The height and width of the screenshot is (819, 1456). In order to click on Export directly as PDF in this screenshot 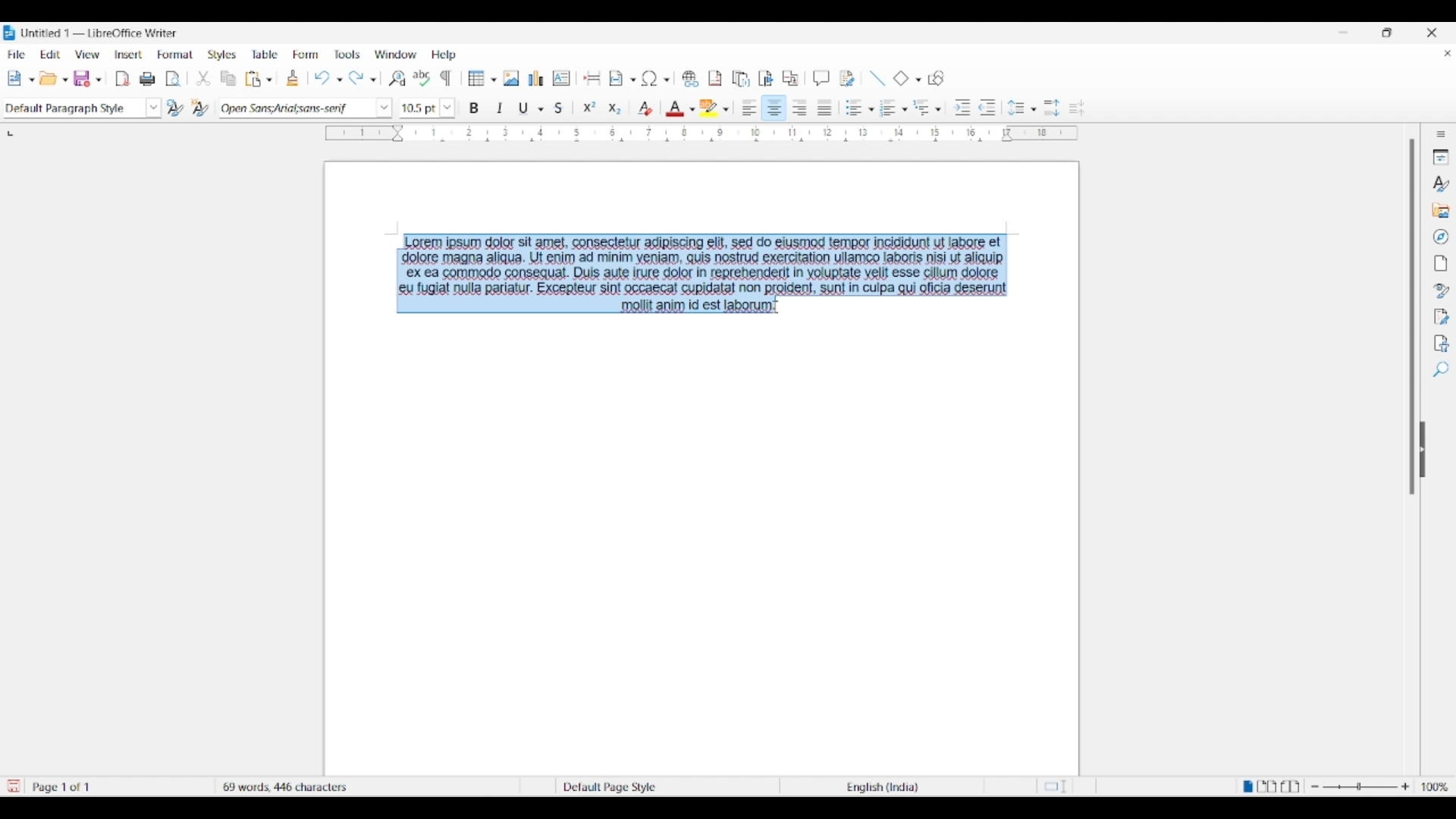, I will do `click(123, 79)`.